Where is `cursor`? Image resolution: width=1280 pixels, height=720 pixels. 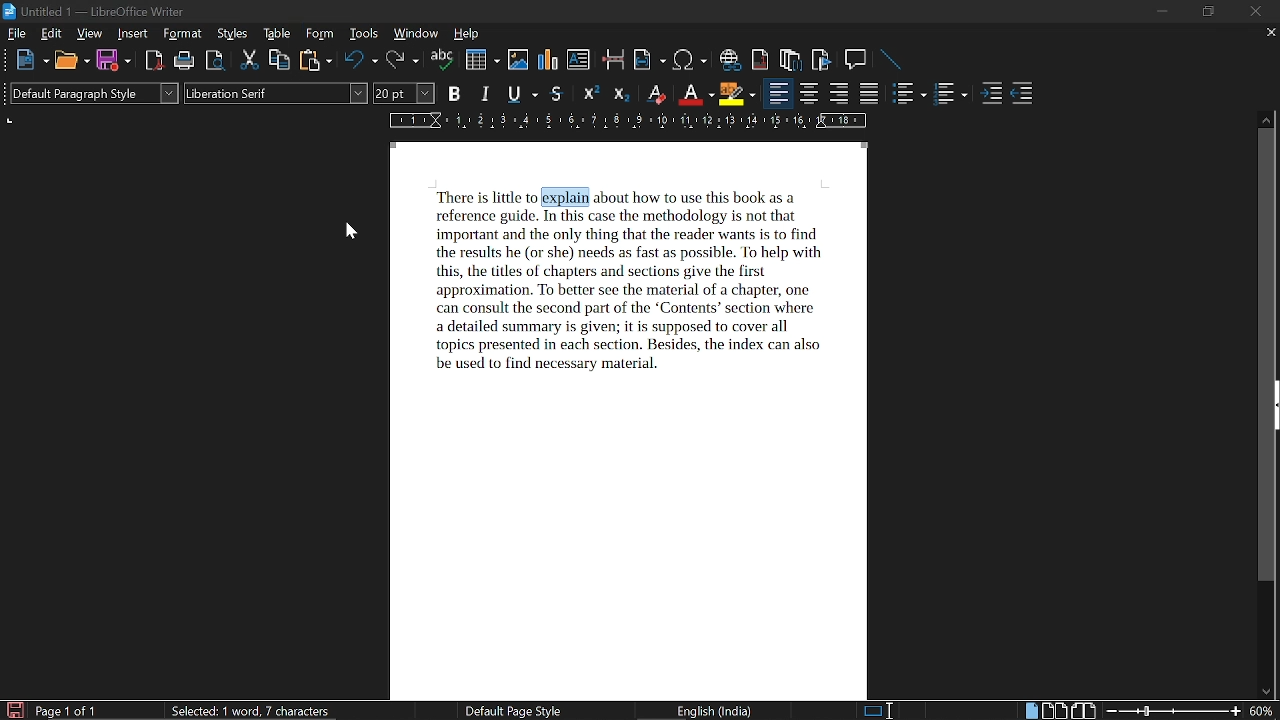 cursor is located at coordinates (350, 231).